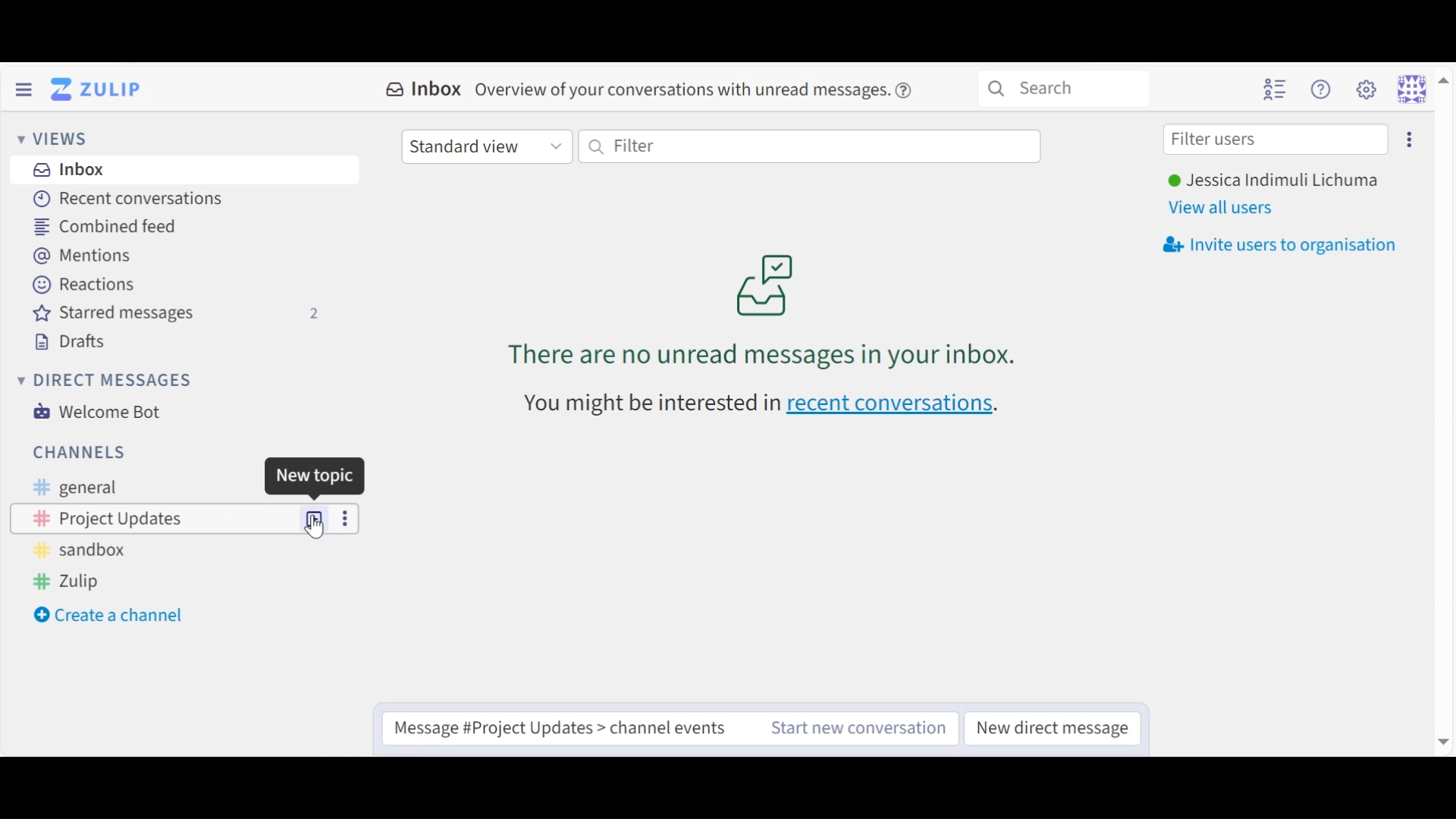  What do you see at coordinates (766, 309) in the screenshot?
I see `no unread messages` at bounding box center [766, 309].